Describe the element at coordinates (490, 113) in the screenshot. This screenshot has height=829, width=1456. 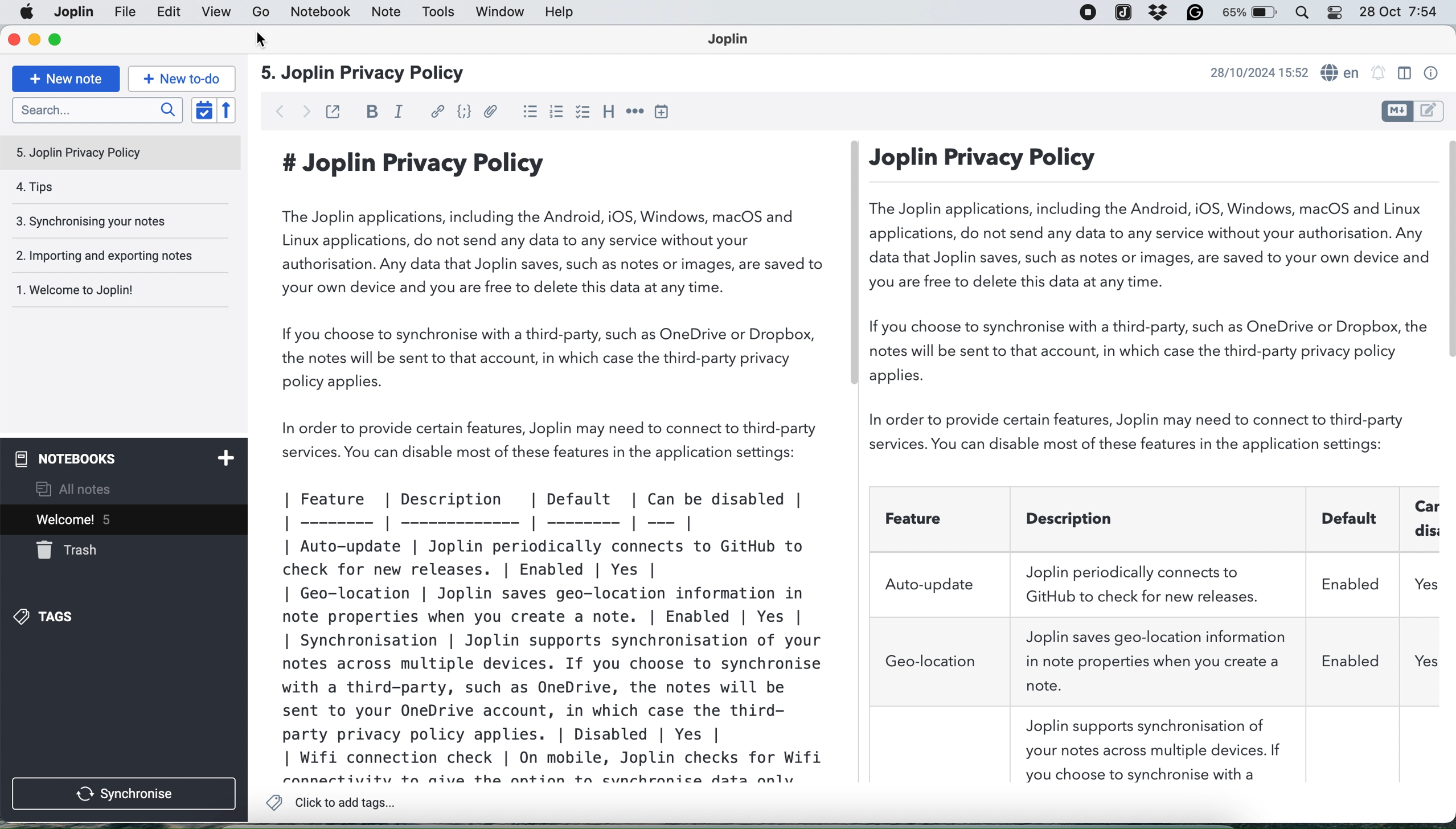
I see `attach file` at that location.